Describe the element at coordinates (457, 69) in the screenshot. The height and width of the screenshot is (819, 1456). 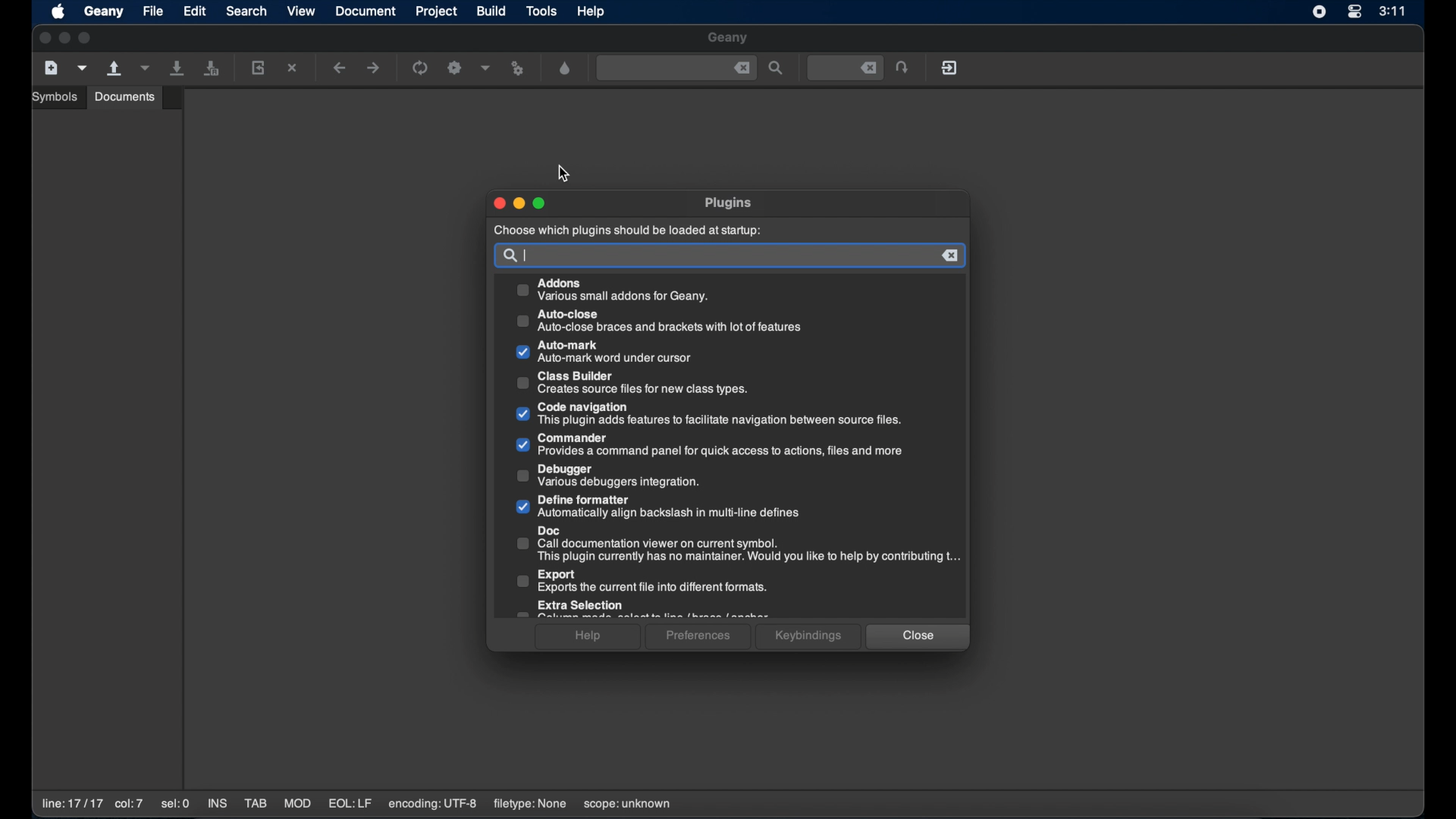
I see `build the current file` at that location.